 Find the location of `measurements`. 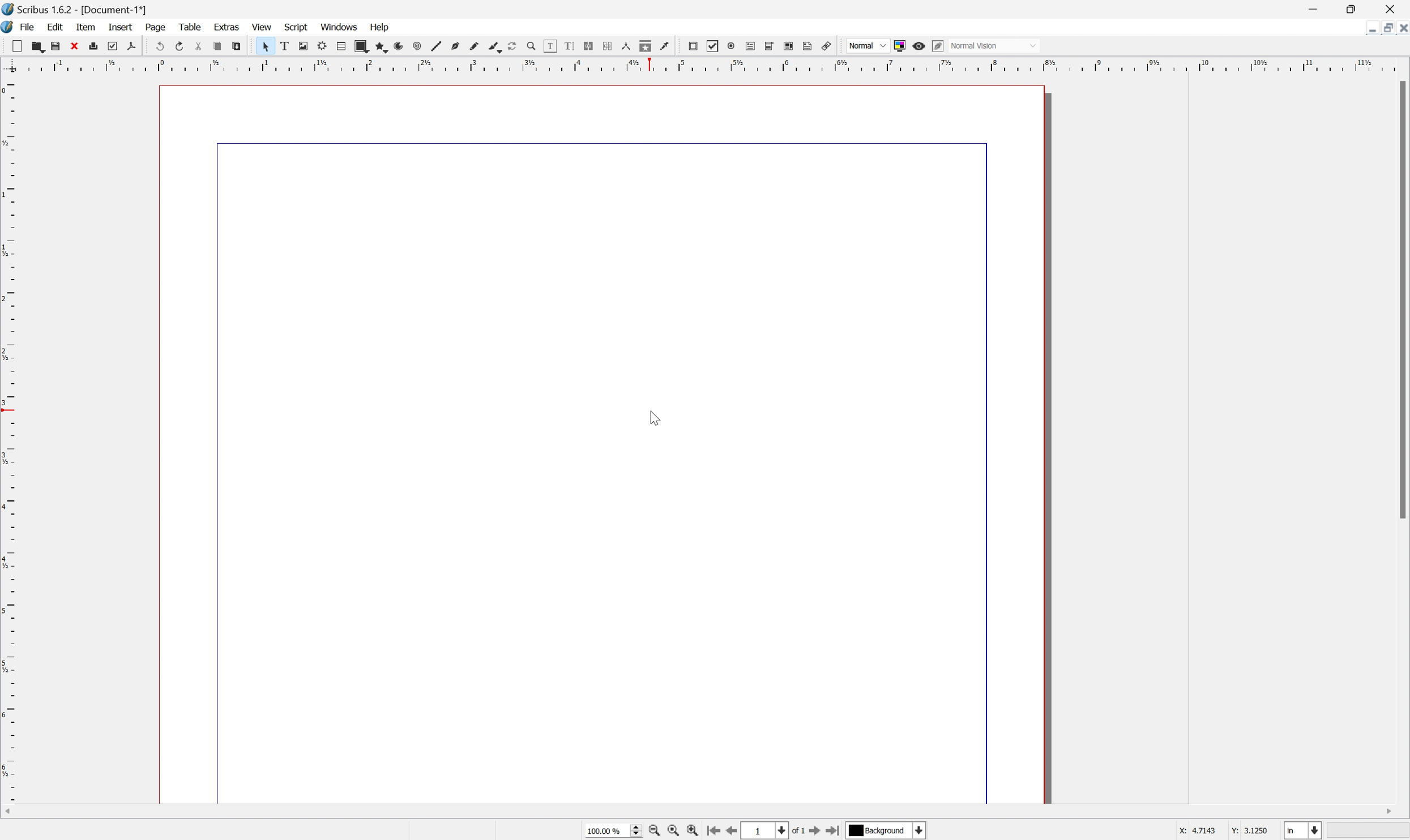

measurements is located at coordinates (626, 46).